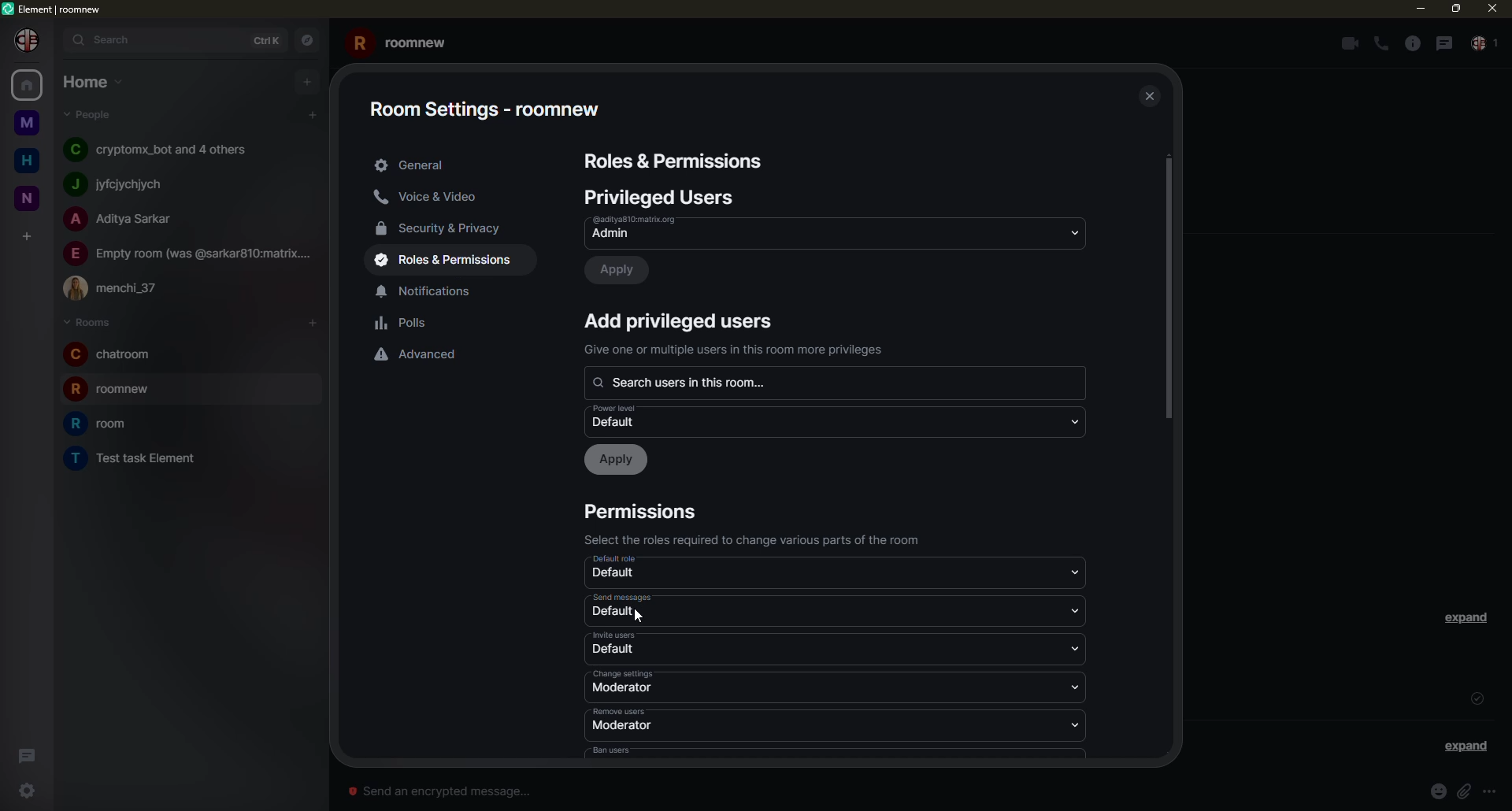 This screenshot has height=811, width=1512. What do you see at coordinates (29, 235) in the screenshot?
I see `add` at bounding box center [29, 235].